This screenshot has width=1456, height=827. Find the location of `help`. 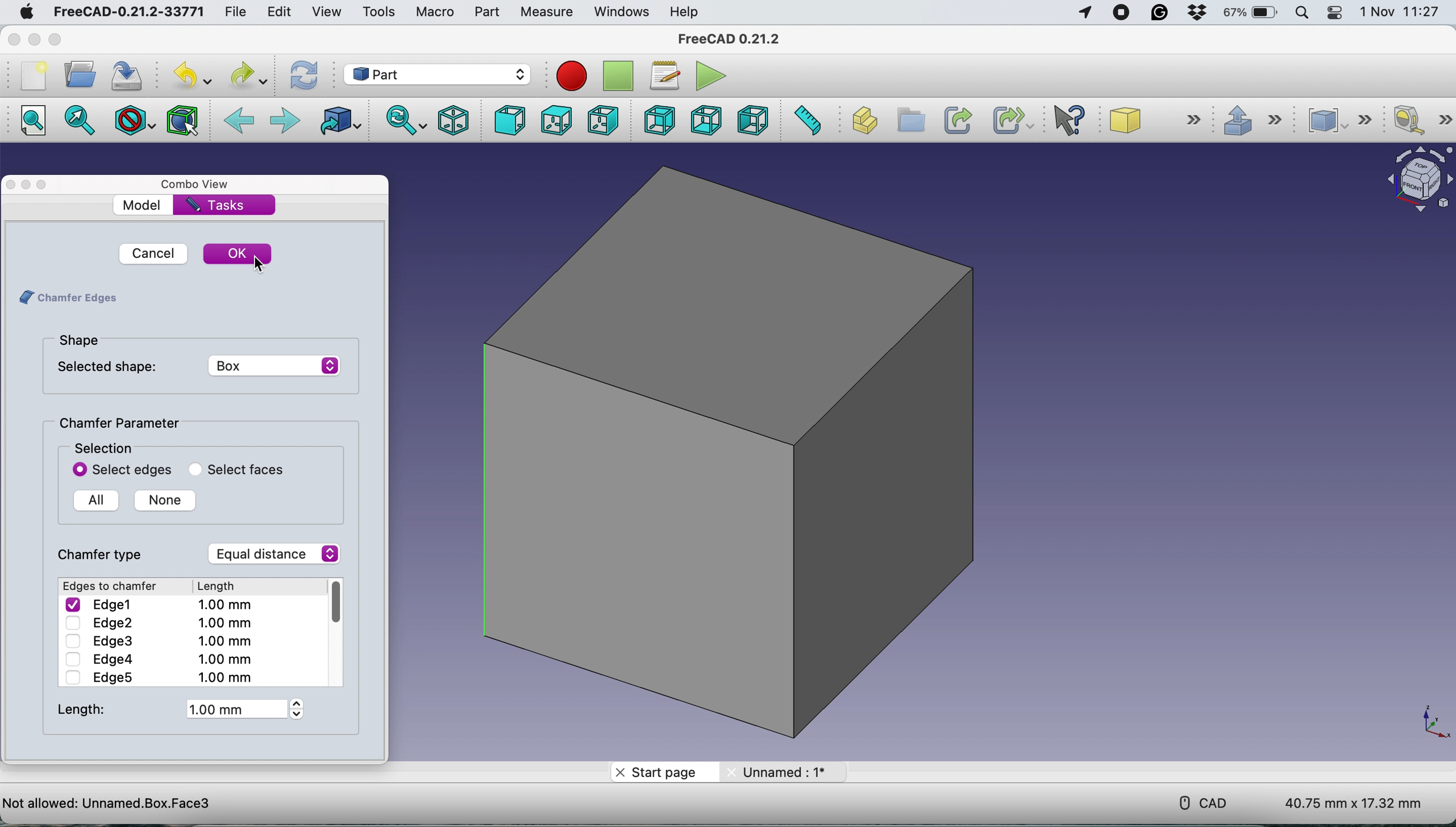

help is located at coordinates (687, 11).